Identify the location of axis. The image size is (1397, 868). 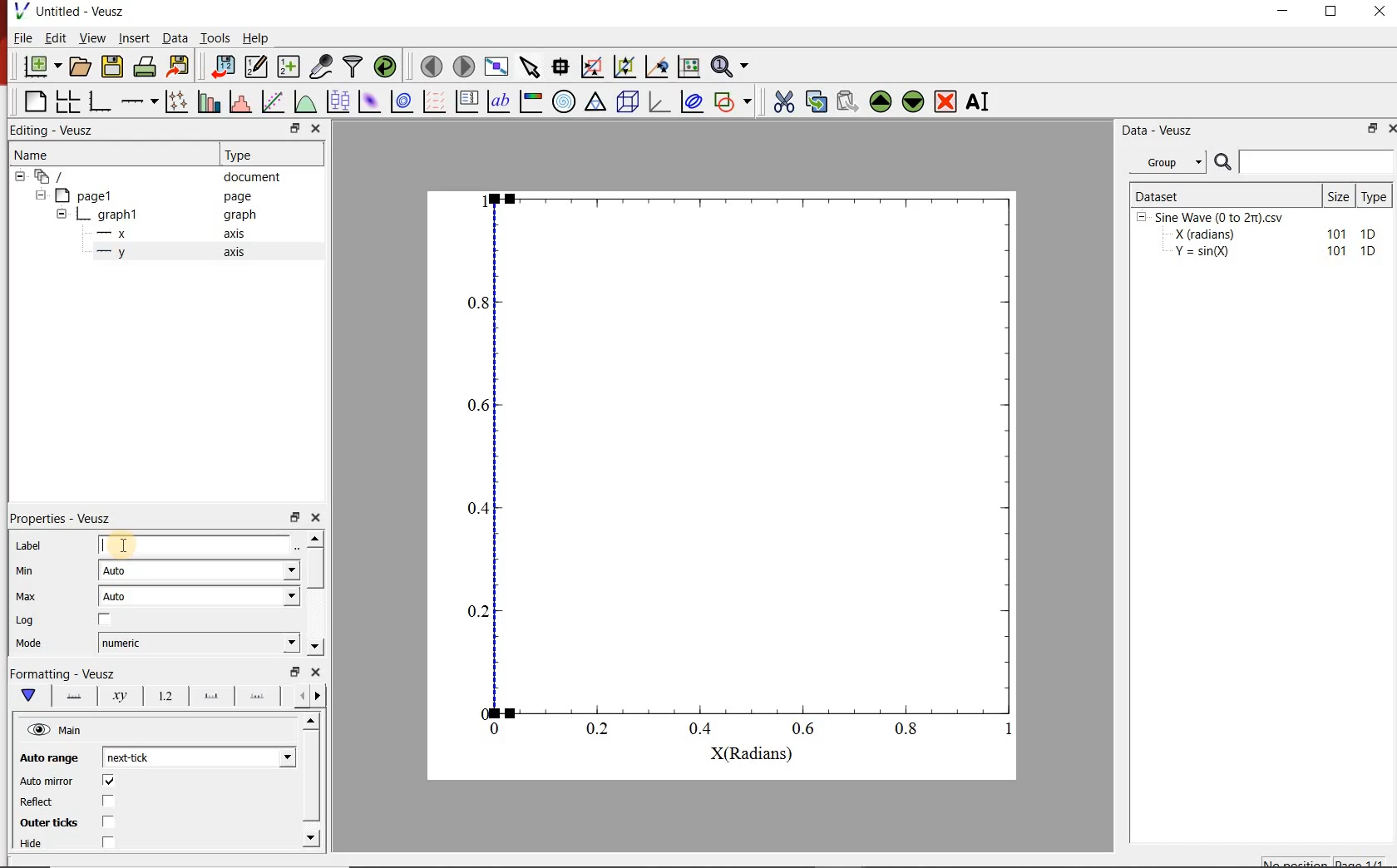
(233, 251).